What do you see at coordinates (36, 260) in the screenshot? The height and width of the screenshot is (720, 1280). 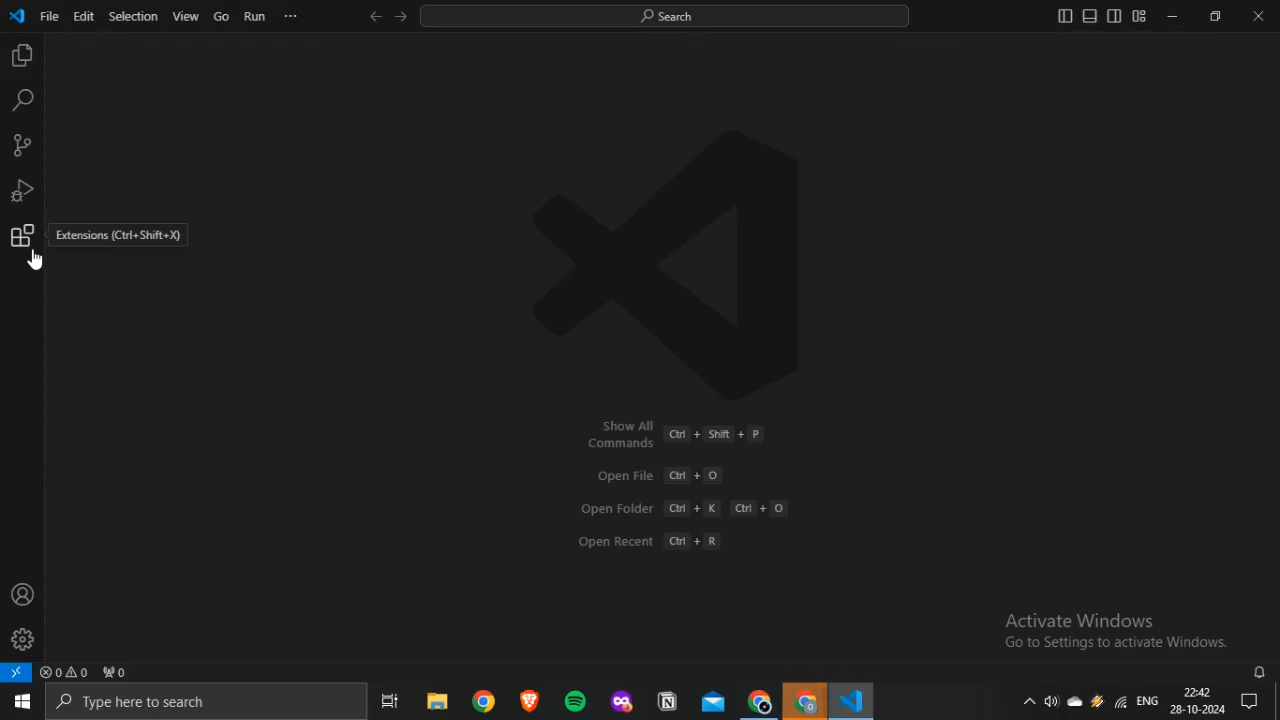 I see `cursor` at bounding box center [36, 260].